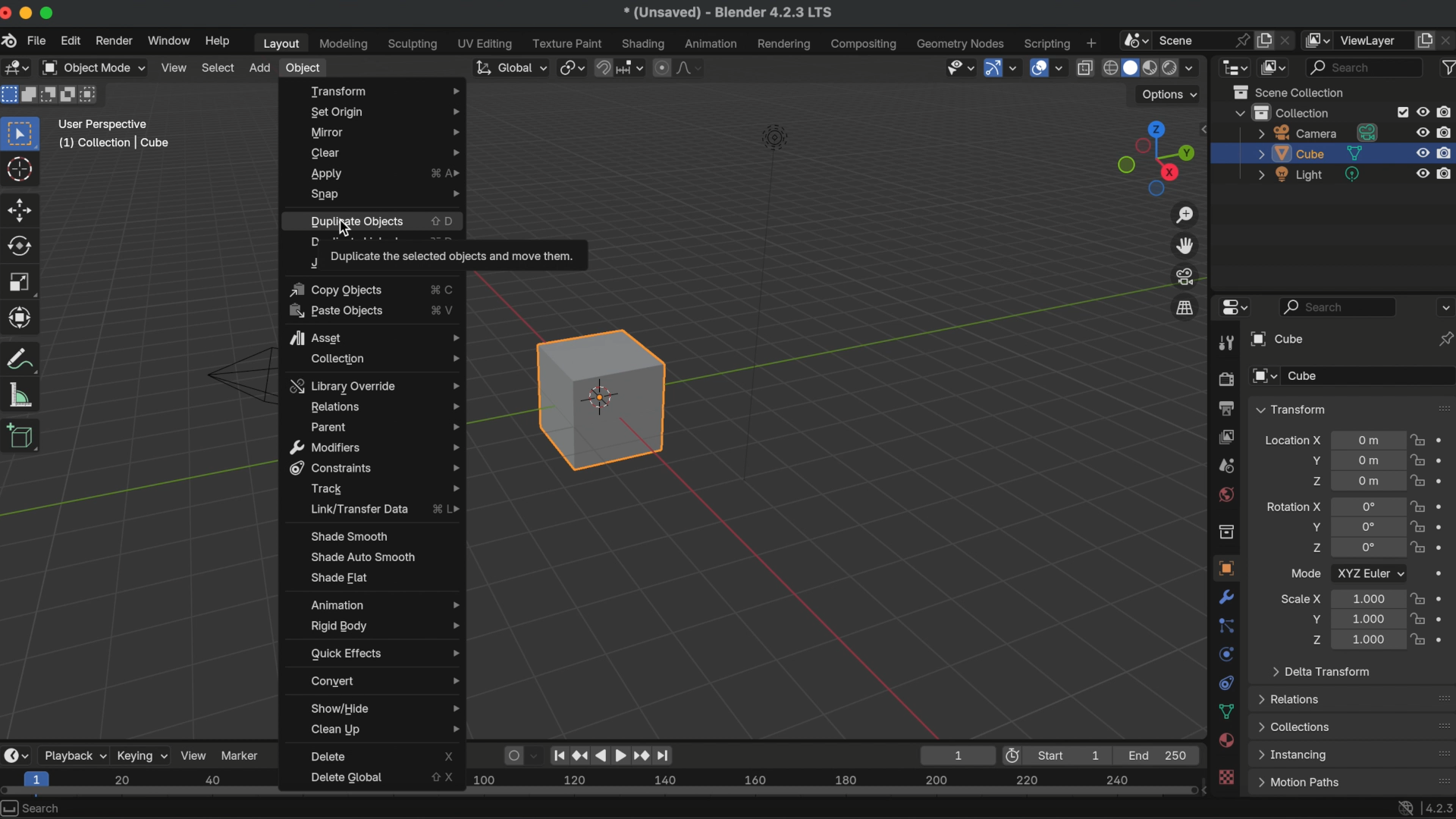  I want to click on toggle pin ID, so click(1445, 339).